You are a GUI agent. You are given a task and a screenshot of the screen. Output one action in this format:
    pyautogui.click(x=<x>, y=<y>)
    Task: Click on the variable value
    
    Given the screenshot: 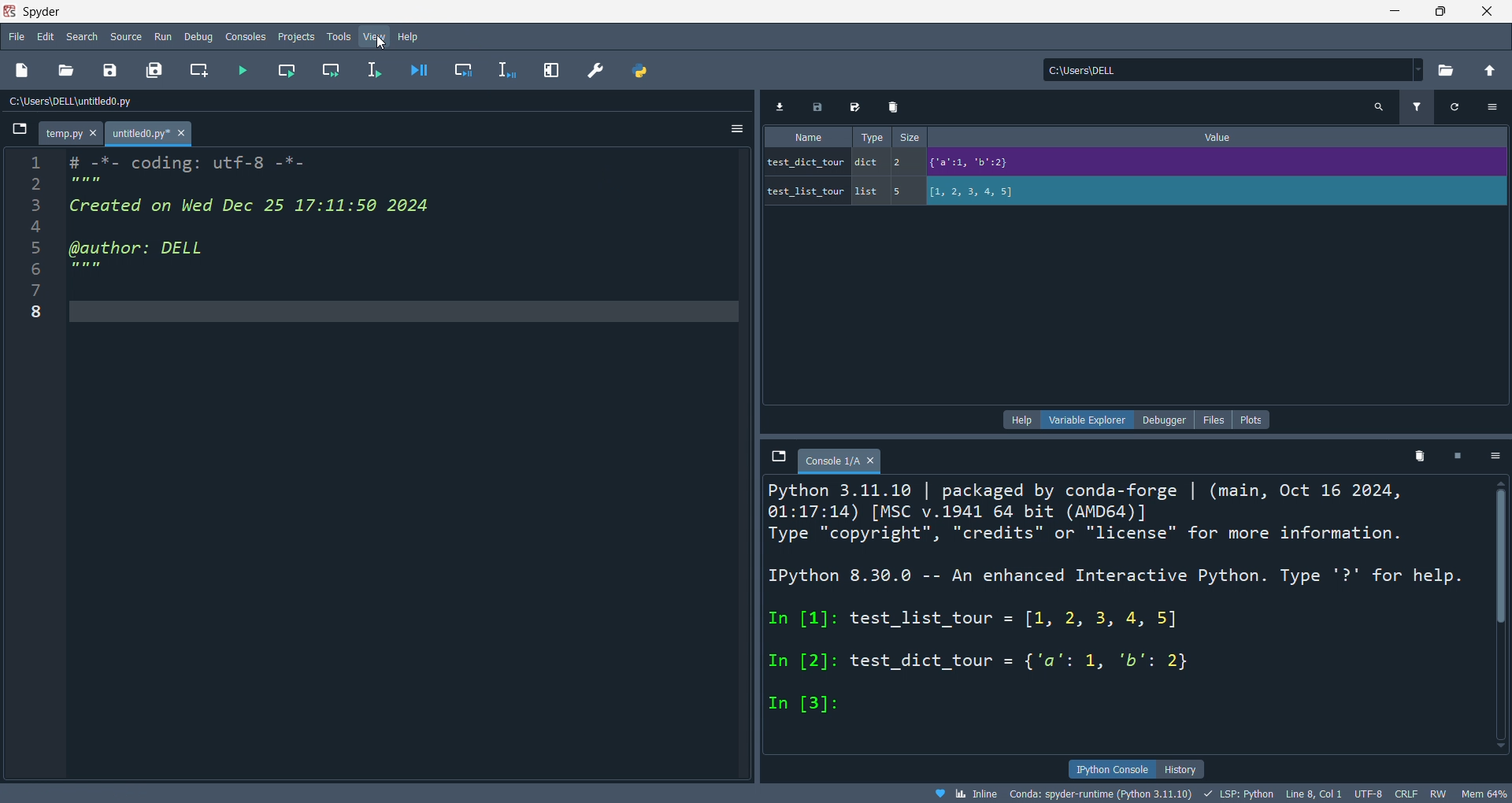 What is the action you would take?
    pyautogui.click(x=1213, y=165)
    